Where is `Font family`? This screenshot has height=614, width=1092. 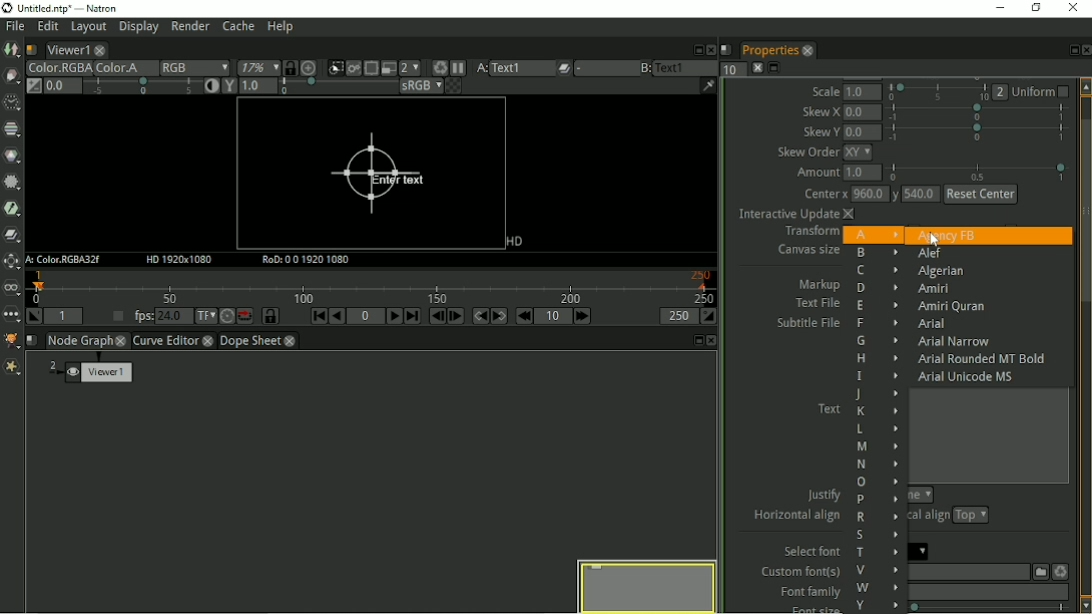 Font family is located at coordinates (806, 592).